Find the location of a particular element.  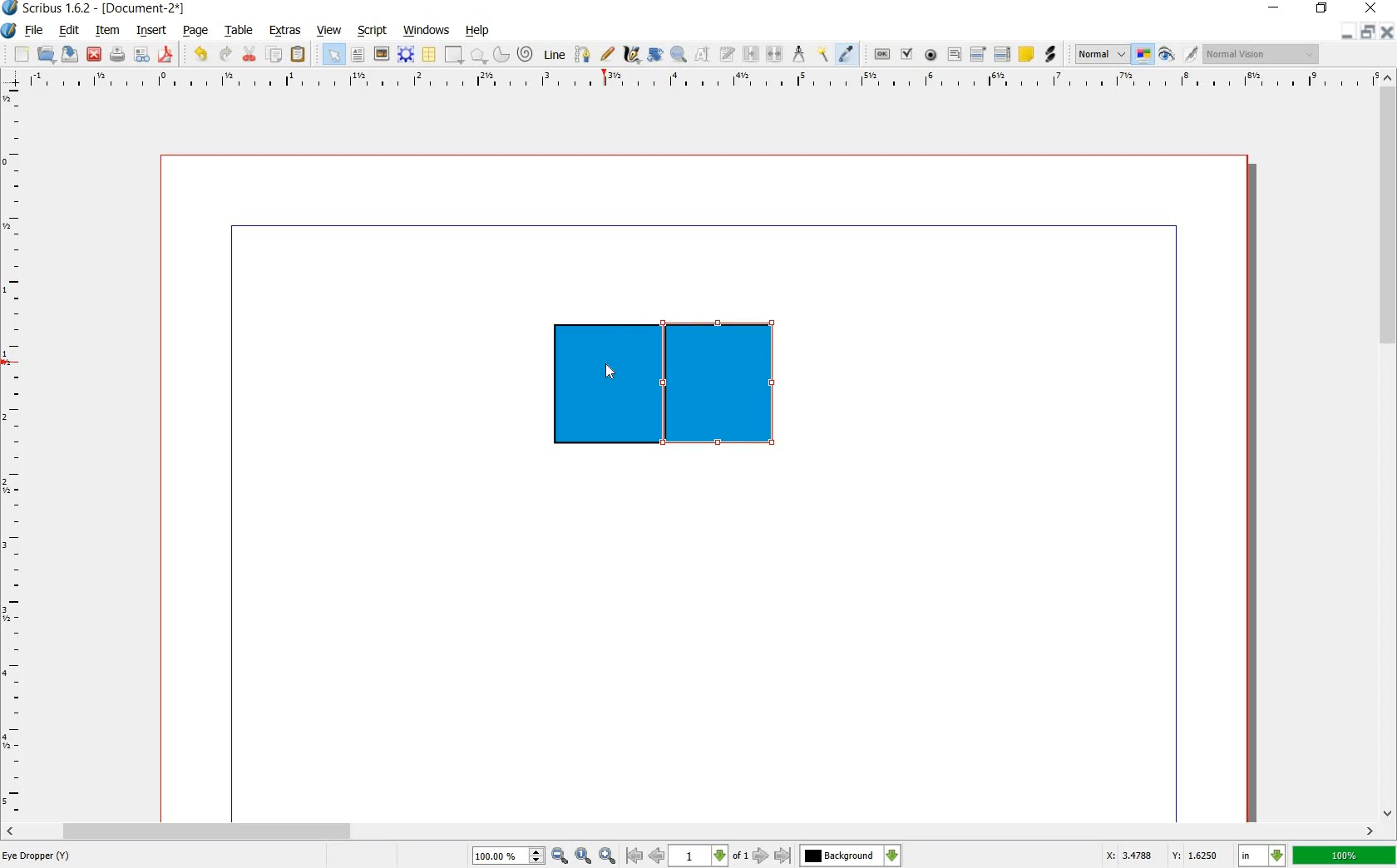

Cursor is located at coordinates (610, 371).